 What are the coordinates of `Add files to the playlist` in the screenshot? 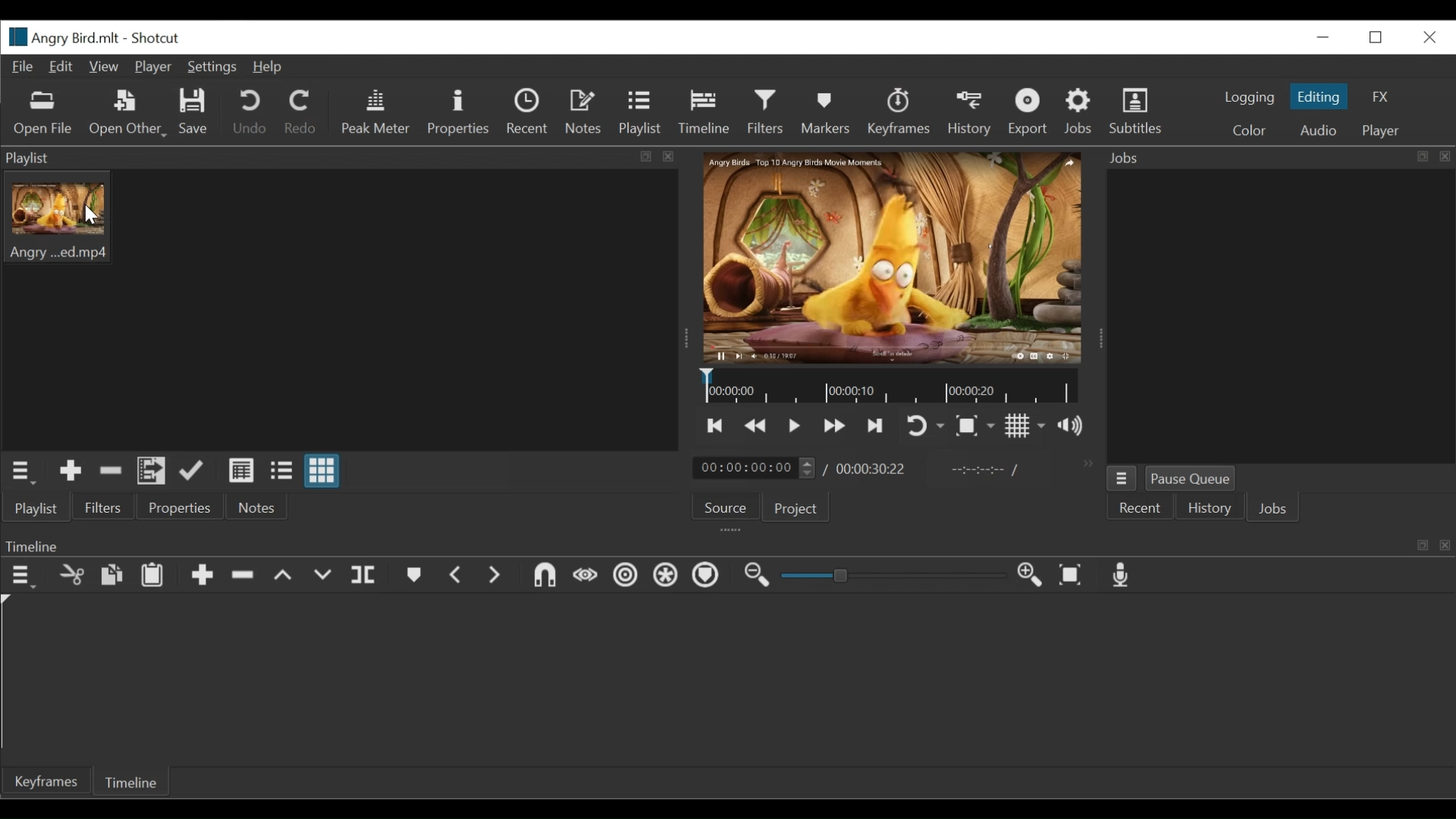 It's located at (152, 472).